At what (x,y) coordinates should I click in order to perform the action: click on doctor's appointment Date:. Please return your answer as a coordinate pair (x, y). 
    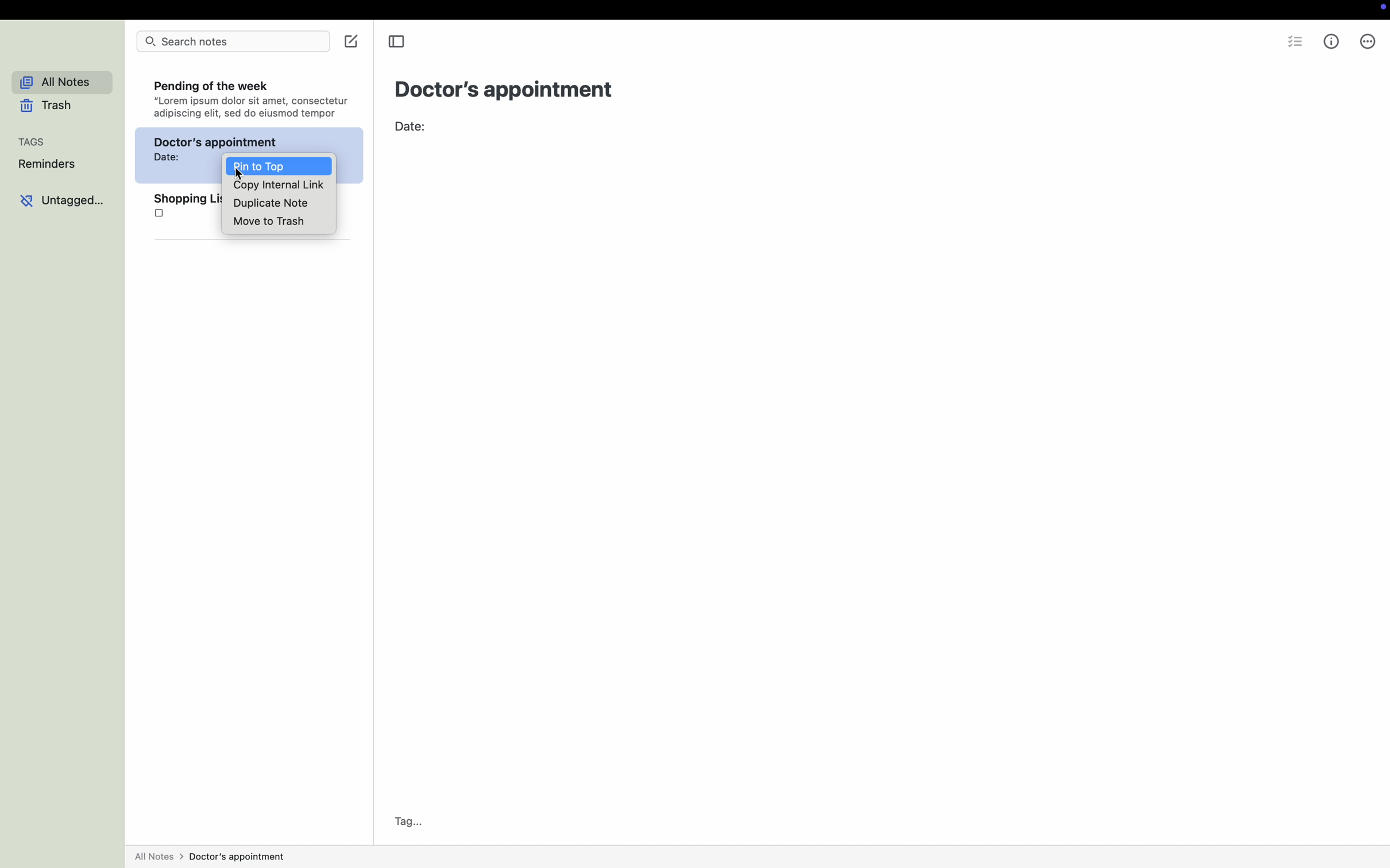
    Looking at the image, I should click on (181, 157).